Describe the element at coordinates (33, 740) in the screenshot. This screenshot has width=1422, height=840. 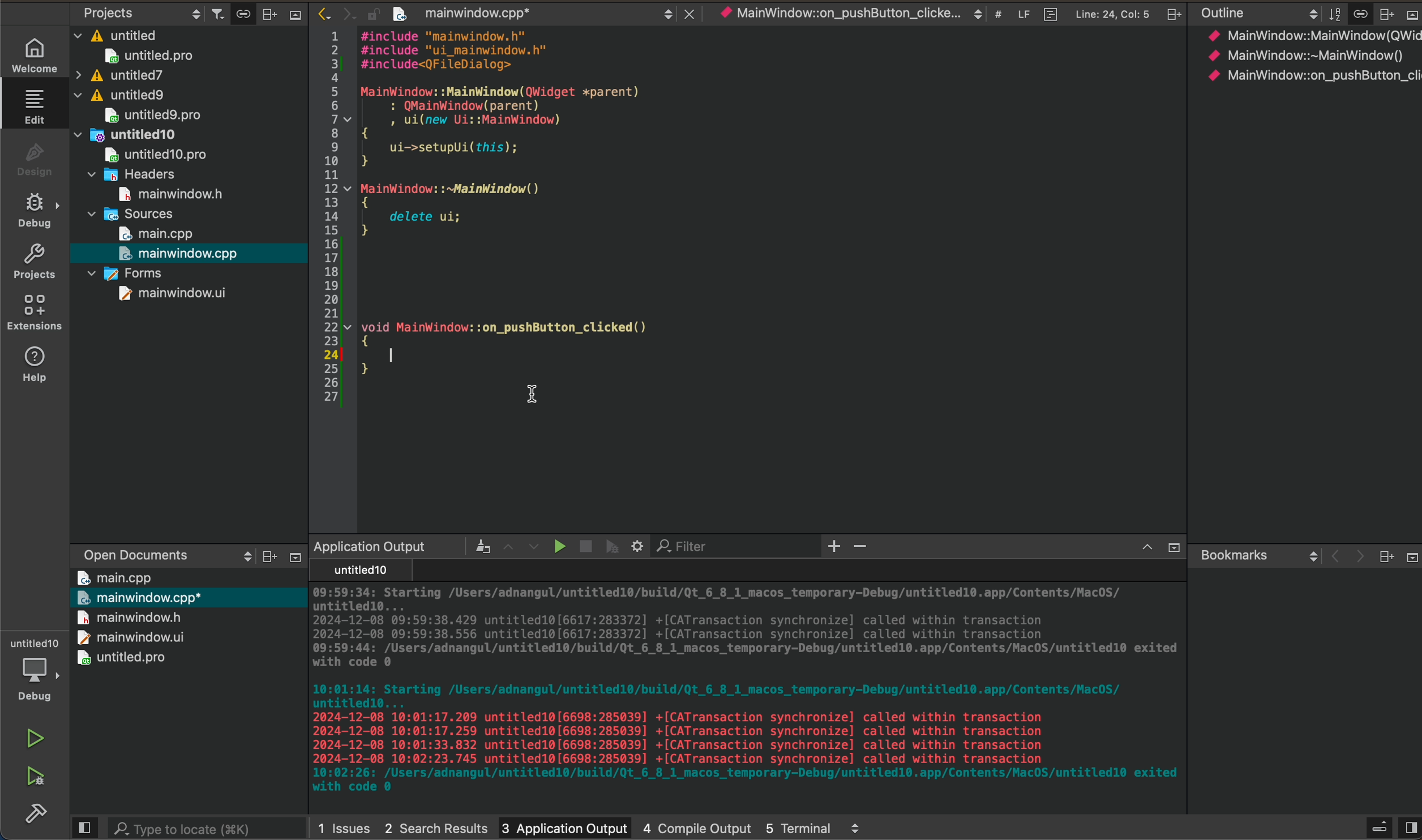
I see `run` at that location.